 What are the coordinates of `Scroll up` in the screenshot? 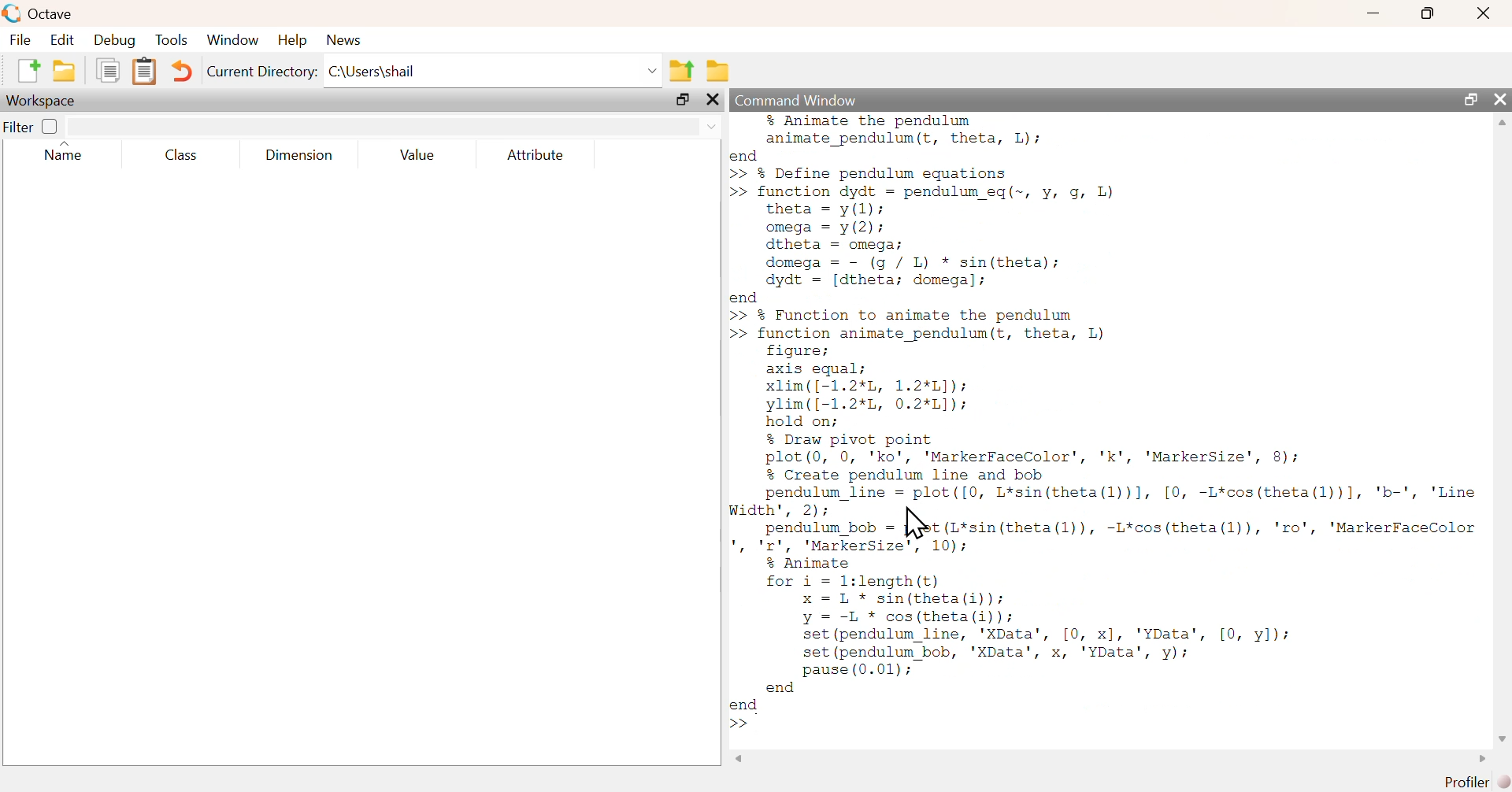 It's located at (1500, 123).